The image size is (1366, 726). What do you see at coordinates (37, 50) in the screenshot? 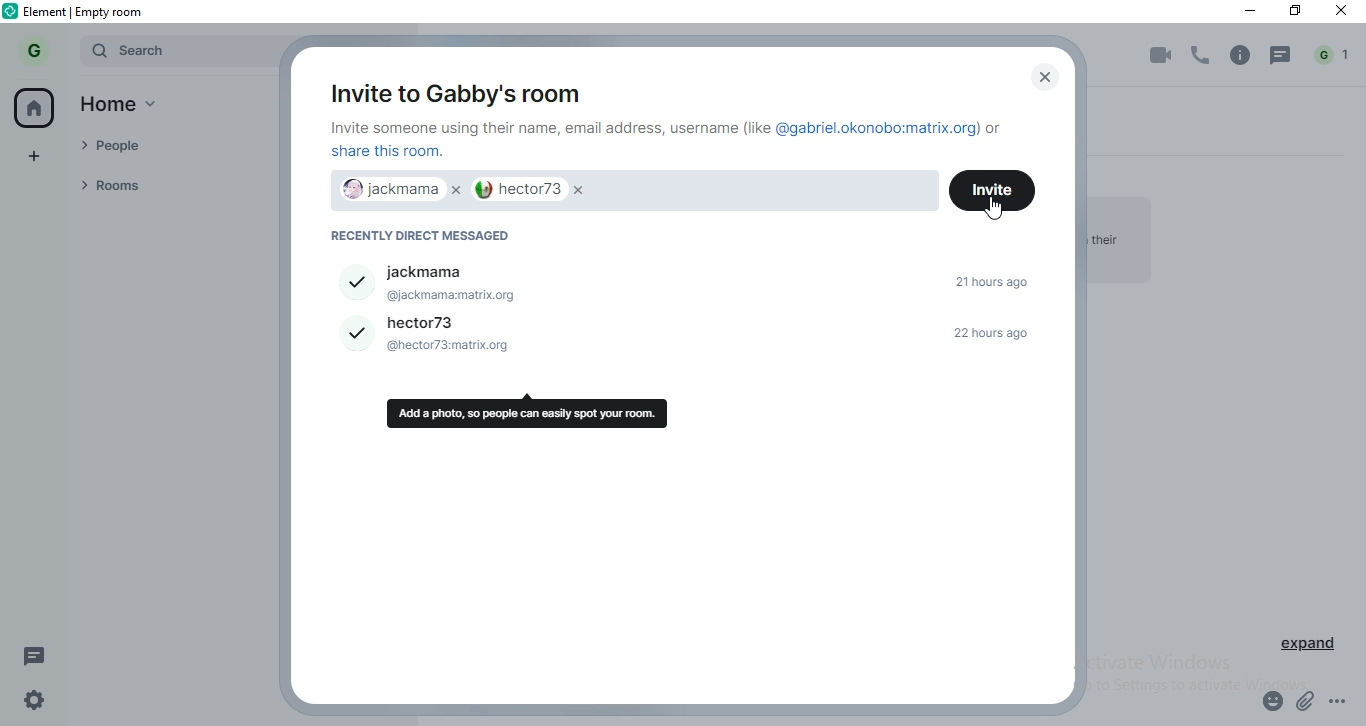
I see `G` at bounding box center [37, 50].